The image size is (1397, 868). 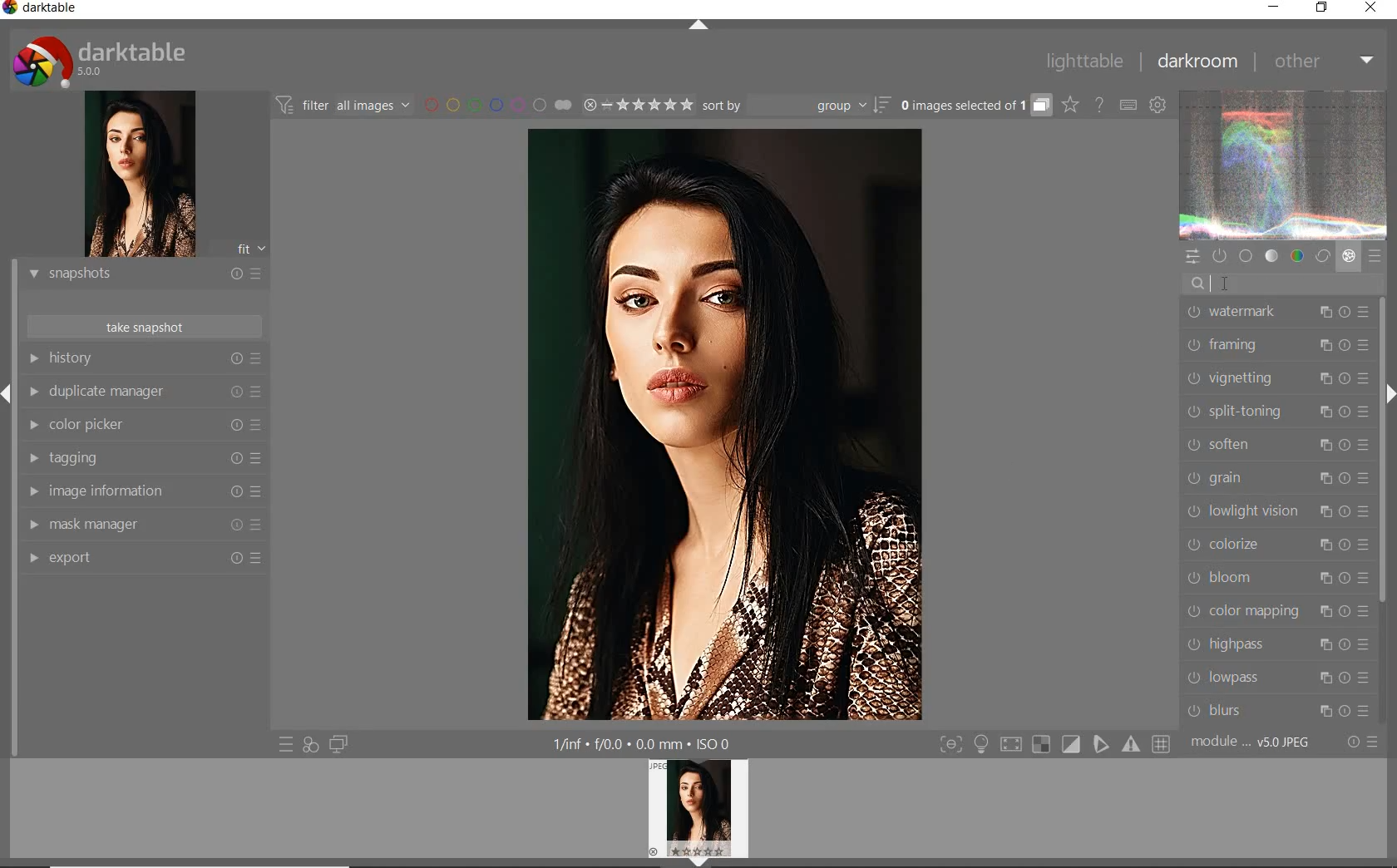 I want to click on COLOR PICKER, so click(x=142, y=427).